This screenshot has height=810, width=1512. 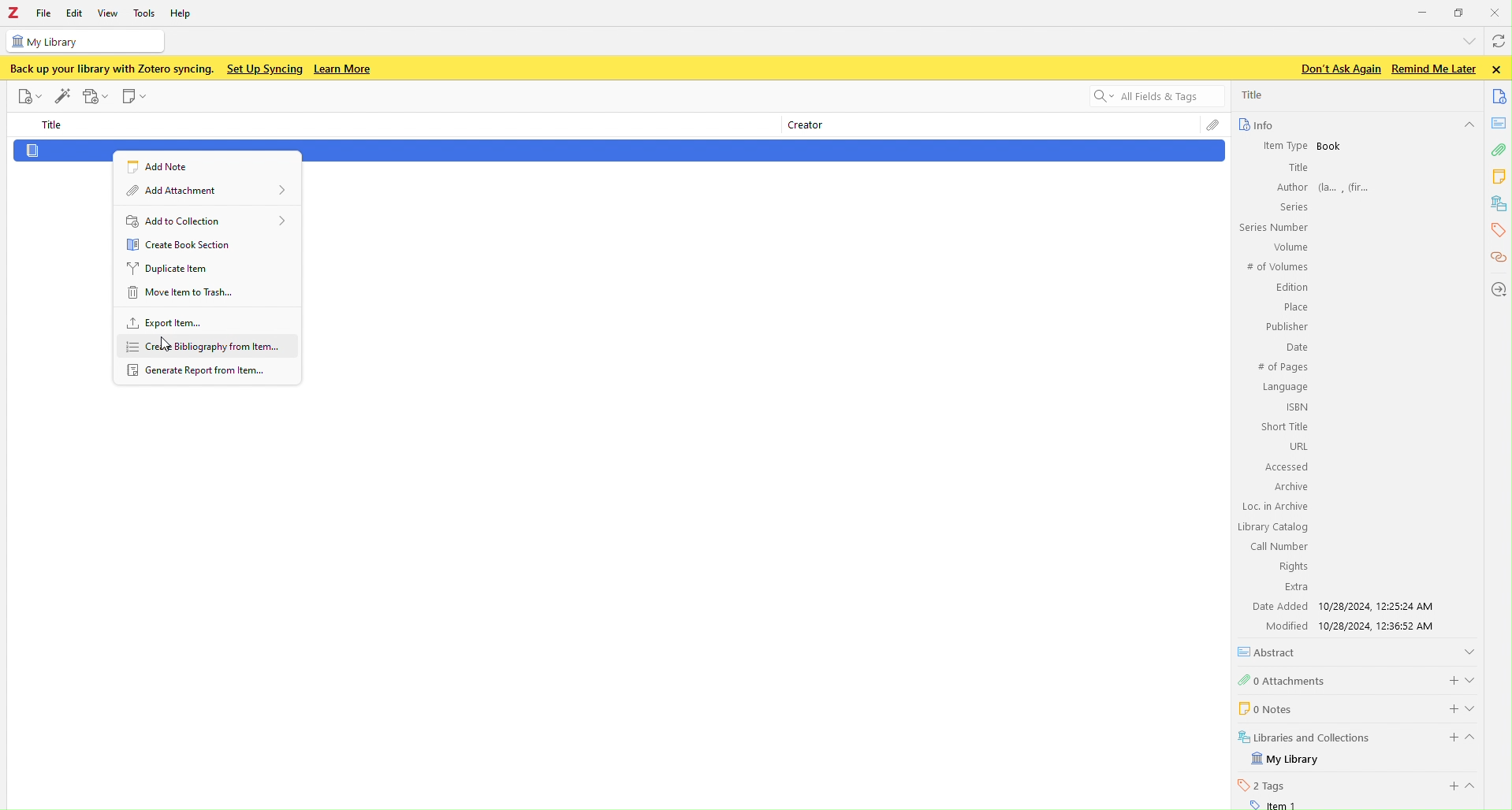 I want to click on Author, so click(x=1290, y=187).